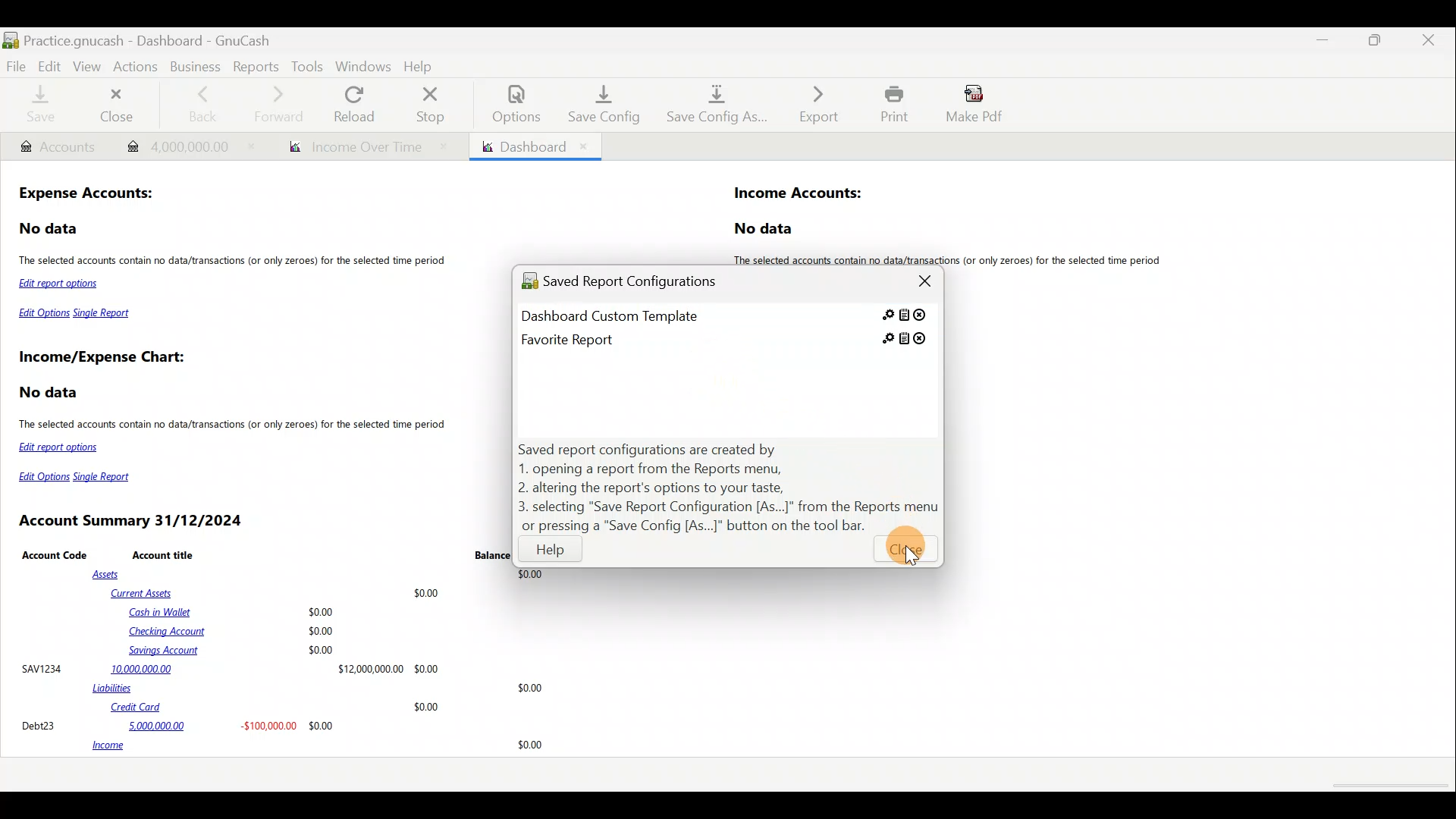 The height and width of the screenshot is (819, 1456). Describe the element at coordinates (362, 147) in the screenshot. I see `Report` at that location.